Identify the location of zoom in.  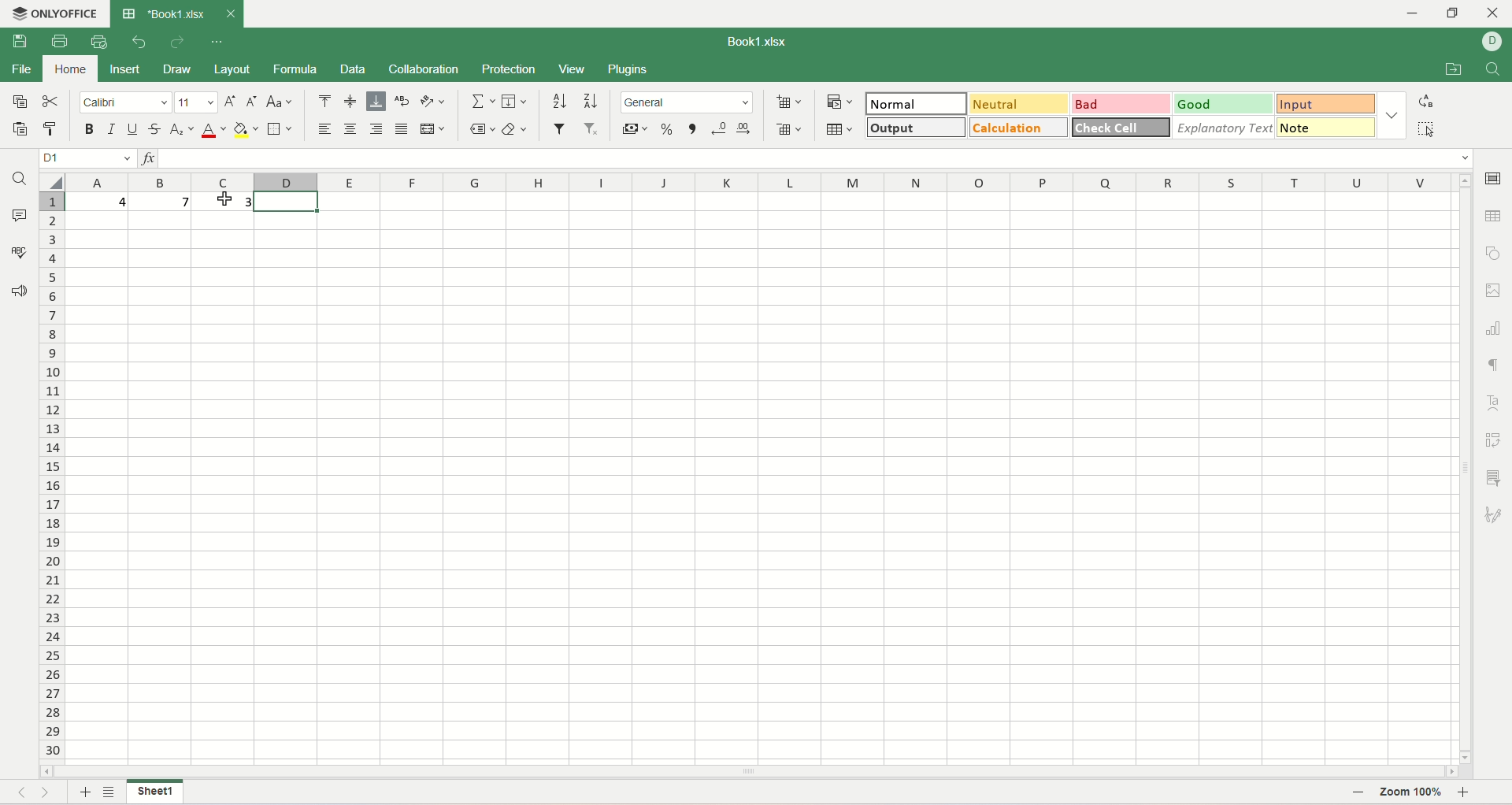
(1466, 795).